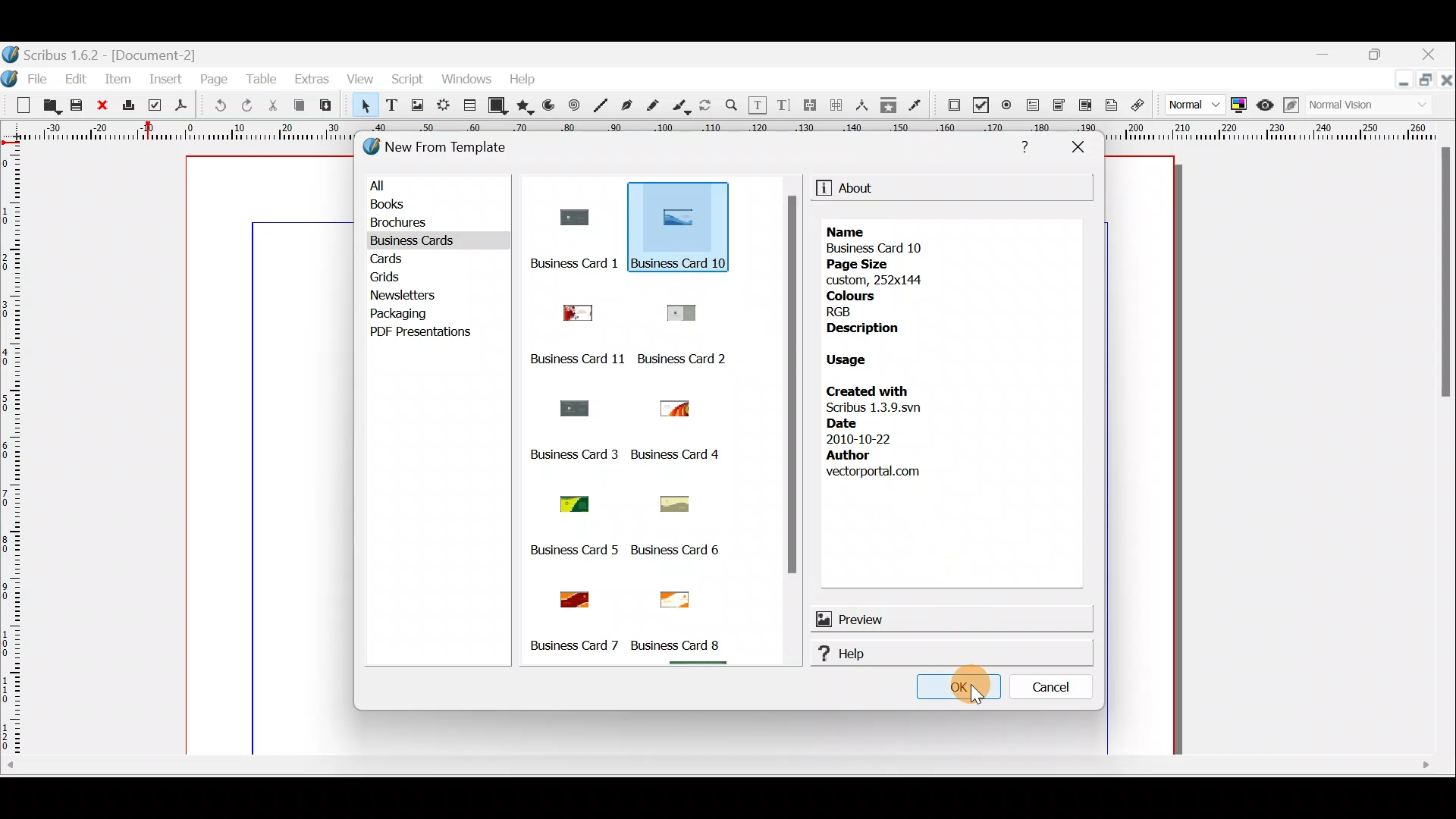  What do you see at coordinates (75, 105) in the screenshot?
I see `Save` at bounding box center [75, 105].